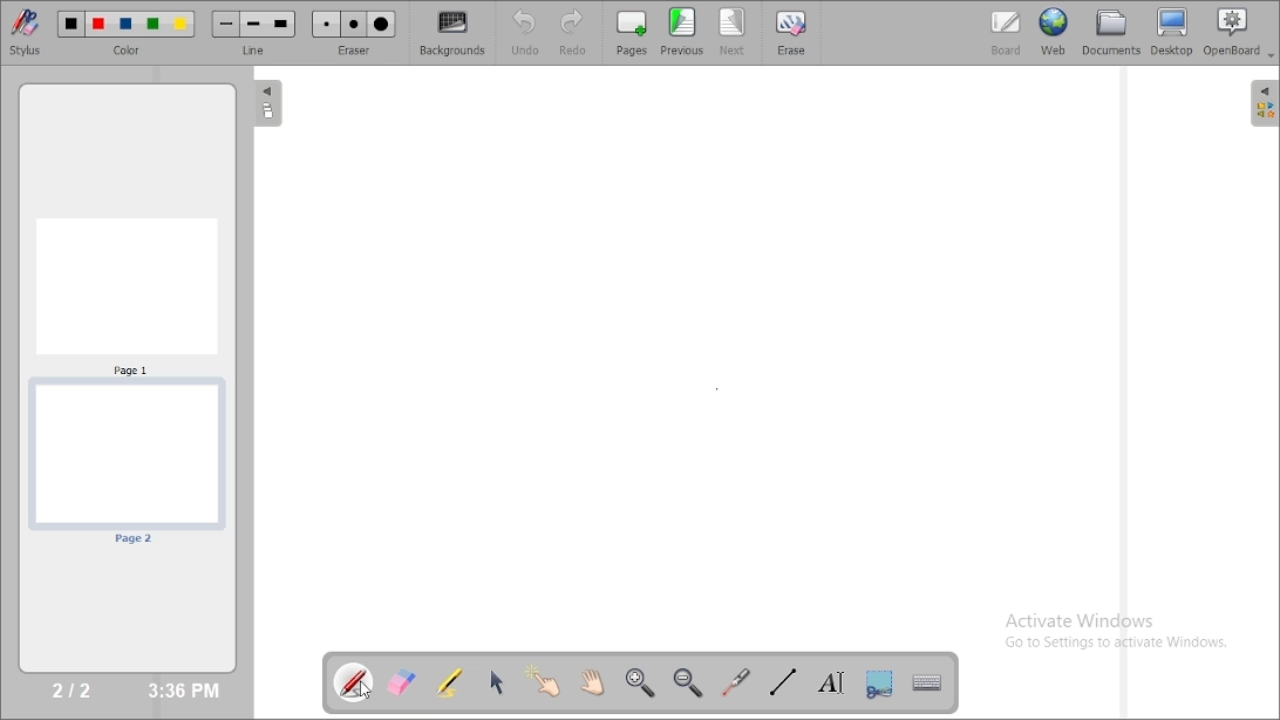 The height and width of the screenshot is (720, 1280). Describe the element at coordinates (639, 683) in the screenshot. I see `zoom in` at that location.